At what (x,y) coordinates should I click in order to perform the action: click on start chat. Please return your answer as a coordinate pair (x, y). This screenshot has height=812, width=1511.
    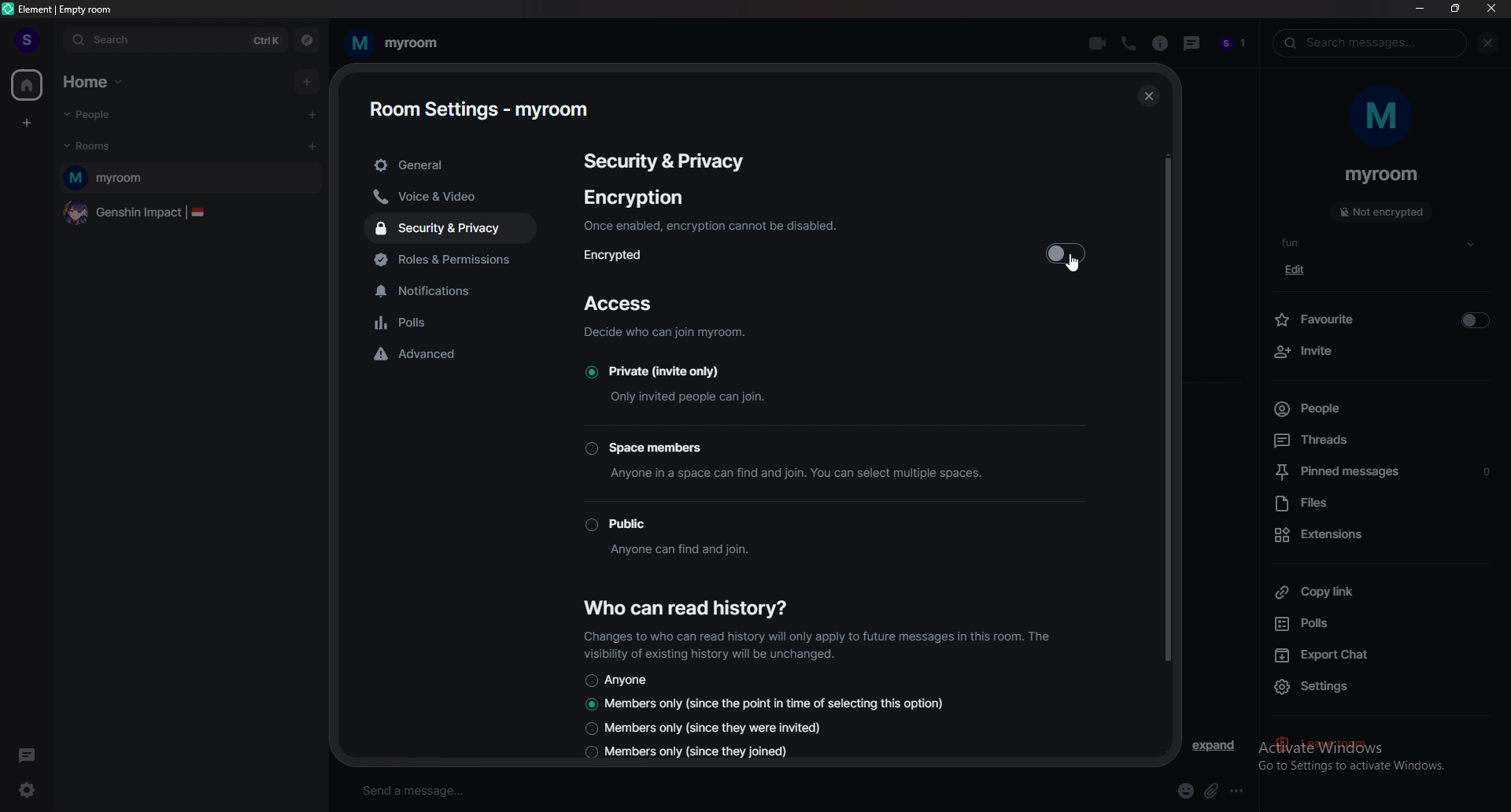
    Looking at the image, I should click on (314, 116).